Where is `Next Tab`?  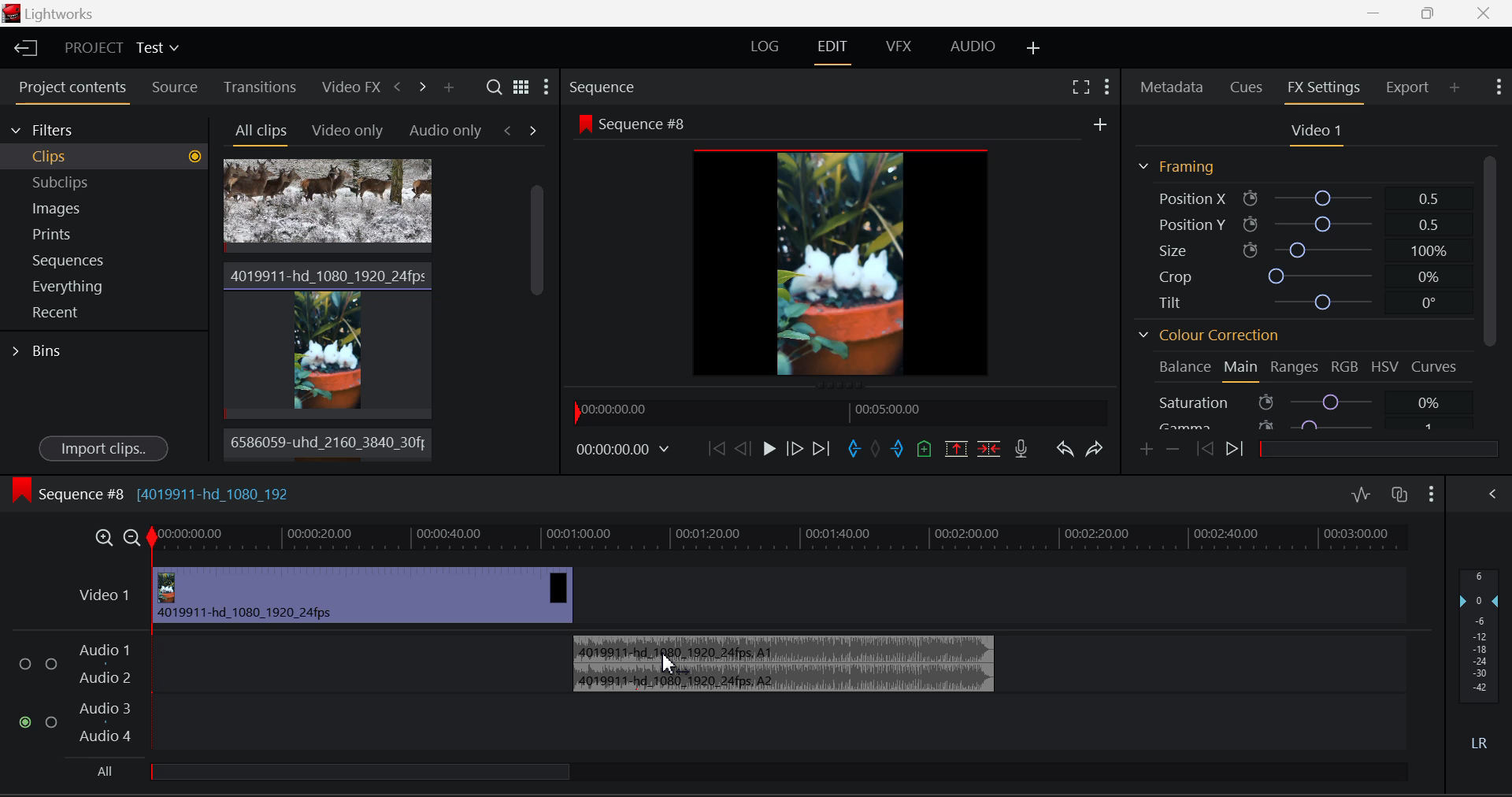
Next Tab is located at coordinates (533, 130).